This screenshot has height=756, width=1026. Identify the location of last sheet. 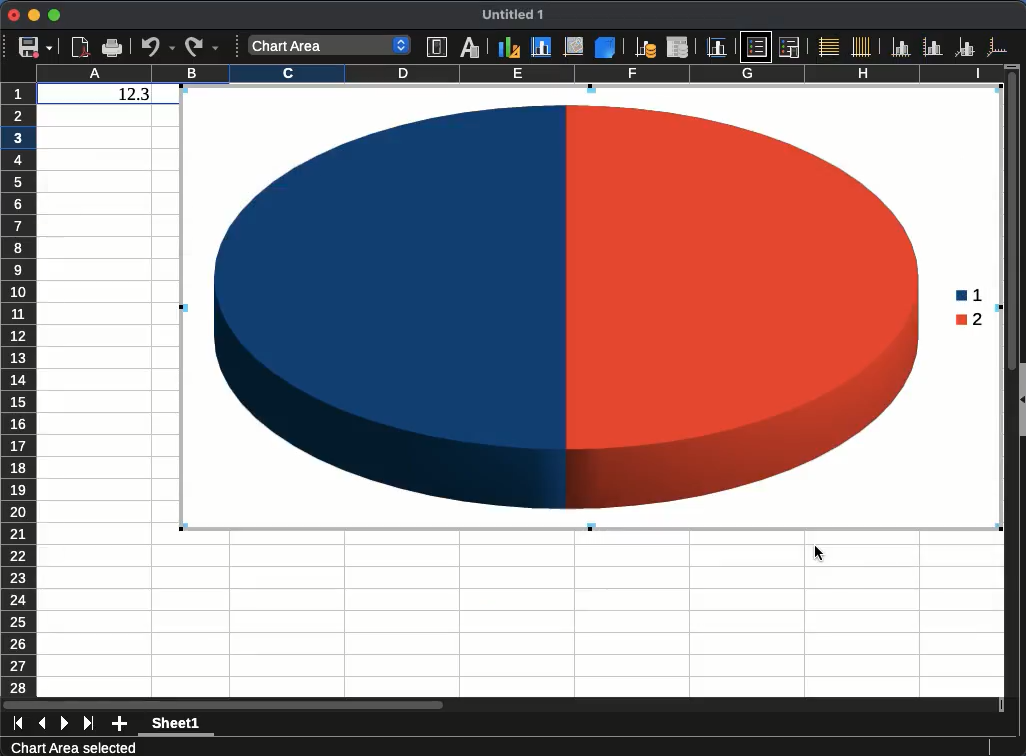
(88, 724).